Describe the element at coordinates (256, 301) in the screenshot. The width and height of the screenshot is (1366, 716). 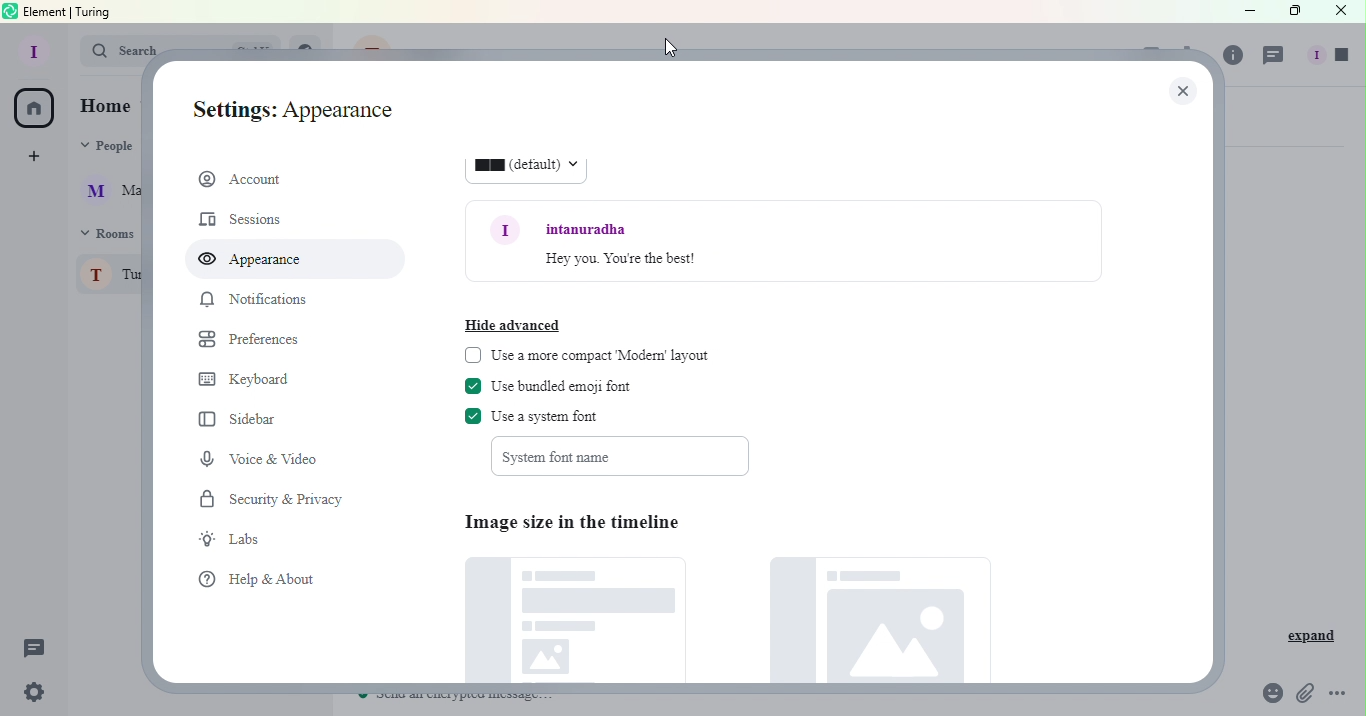
I see `Notifications` at that location.